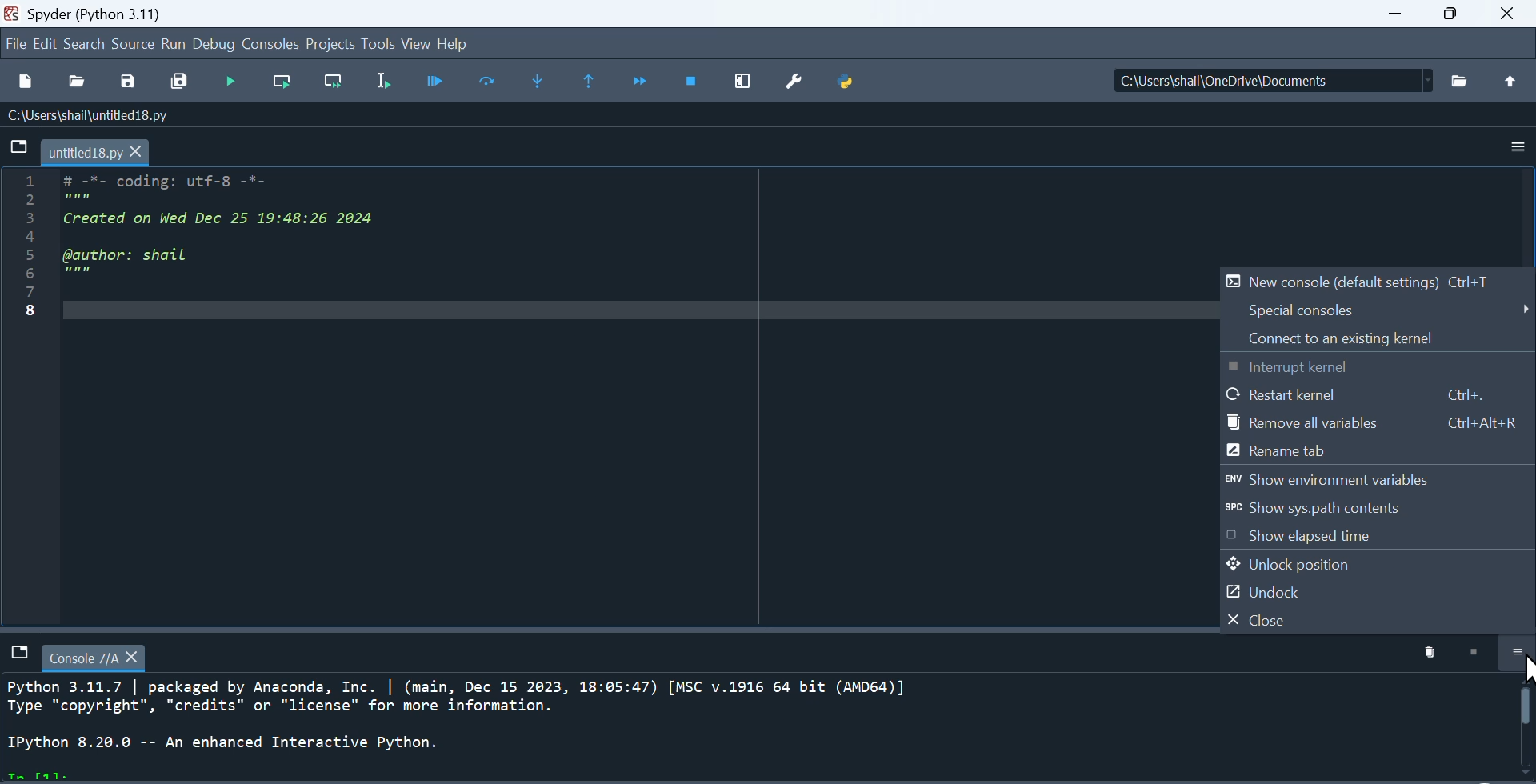 The image size is (1536, 784). Describe the element at coordinates (1509, 14) in the screenshot. I see `close` at that location.